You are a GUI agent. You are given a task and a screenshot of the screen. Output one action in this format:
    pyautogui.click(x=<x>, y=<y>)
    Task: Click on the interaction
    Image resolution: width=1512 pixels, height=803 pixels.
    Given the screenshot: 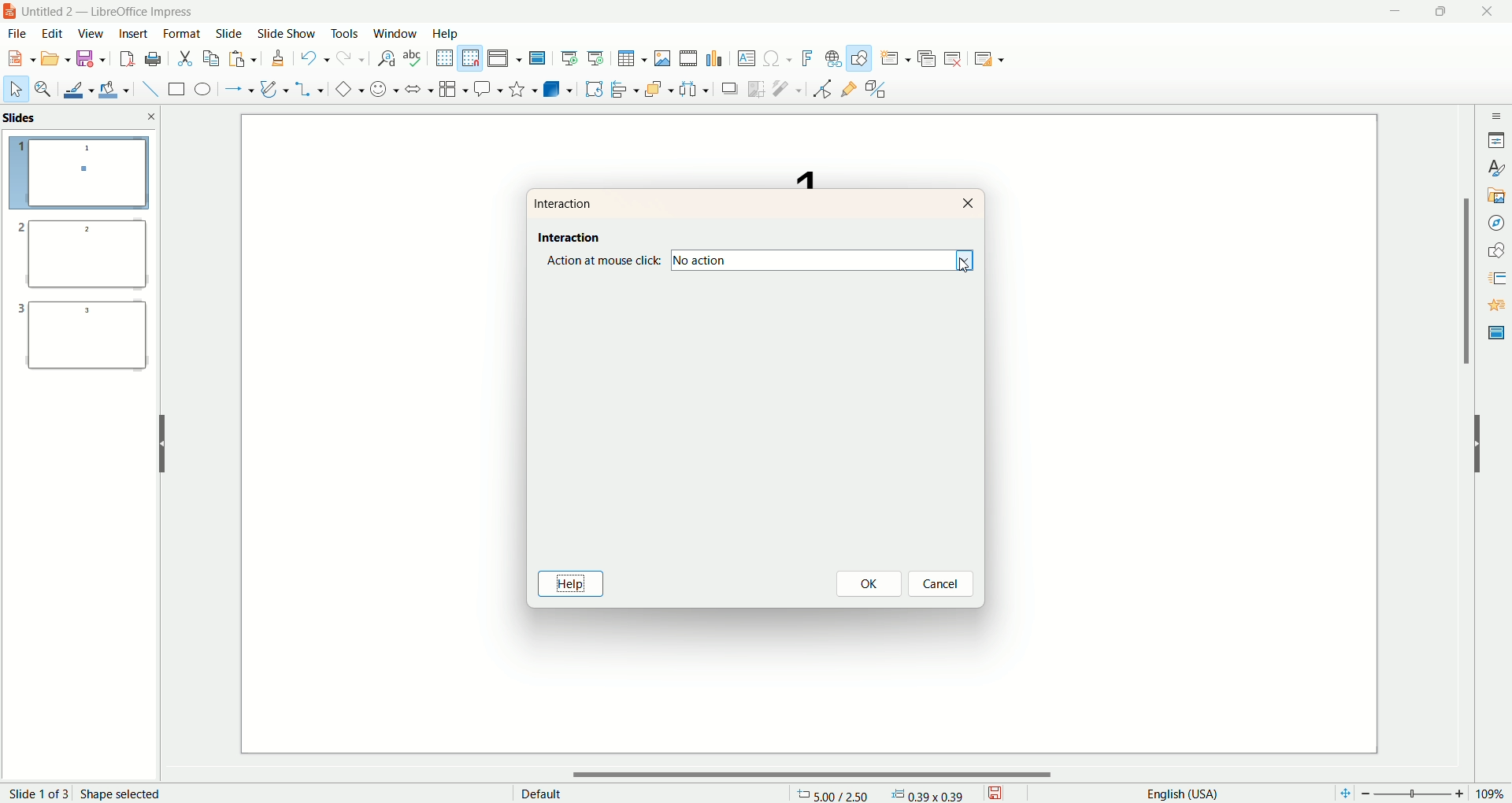 What is the action you would take?
    pyautogui.click(x=566, y=235)
    